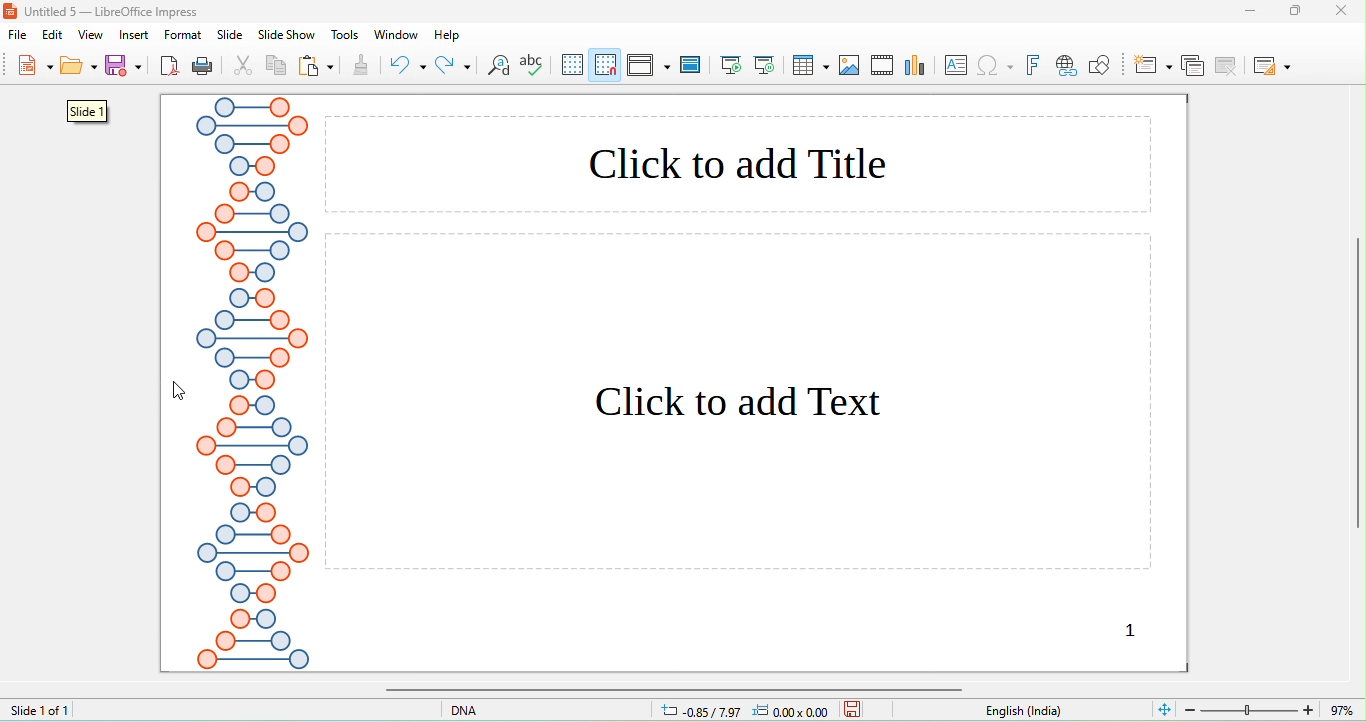 Image resolution: width=1366 pixels, height=722 pixels. Describe the element at coordinates (230, 35) in the screenshot. I see `slide` at that location.